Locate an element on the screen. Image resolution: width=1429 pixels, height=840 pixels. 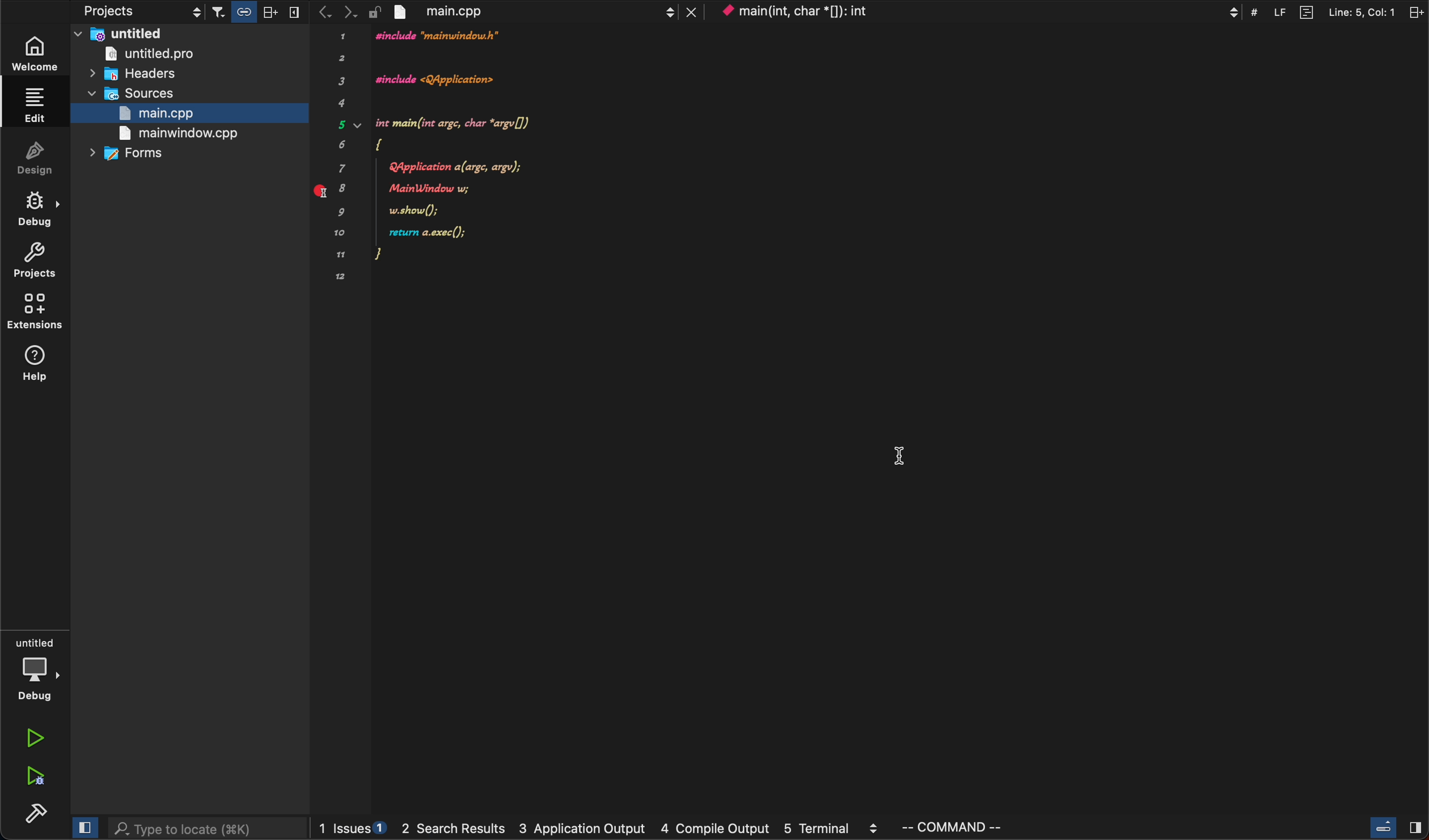
filter is located at coordinates (256, 11).